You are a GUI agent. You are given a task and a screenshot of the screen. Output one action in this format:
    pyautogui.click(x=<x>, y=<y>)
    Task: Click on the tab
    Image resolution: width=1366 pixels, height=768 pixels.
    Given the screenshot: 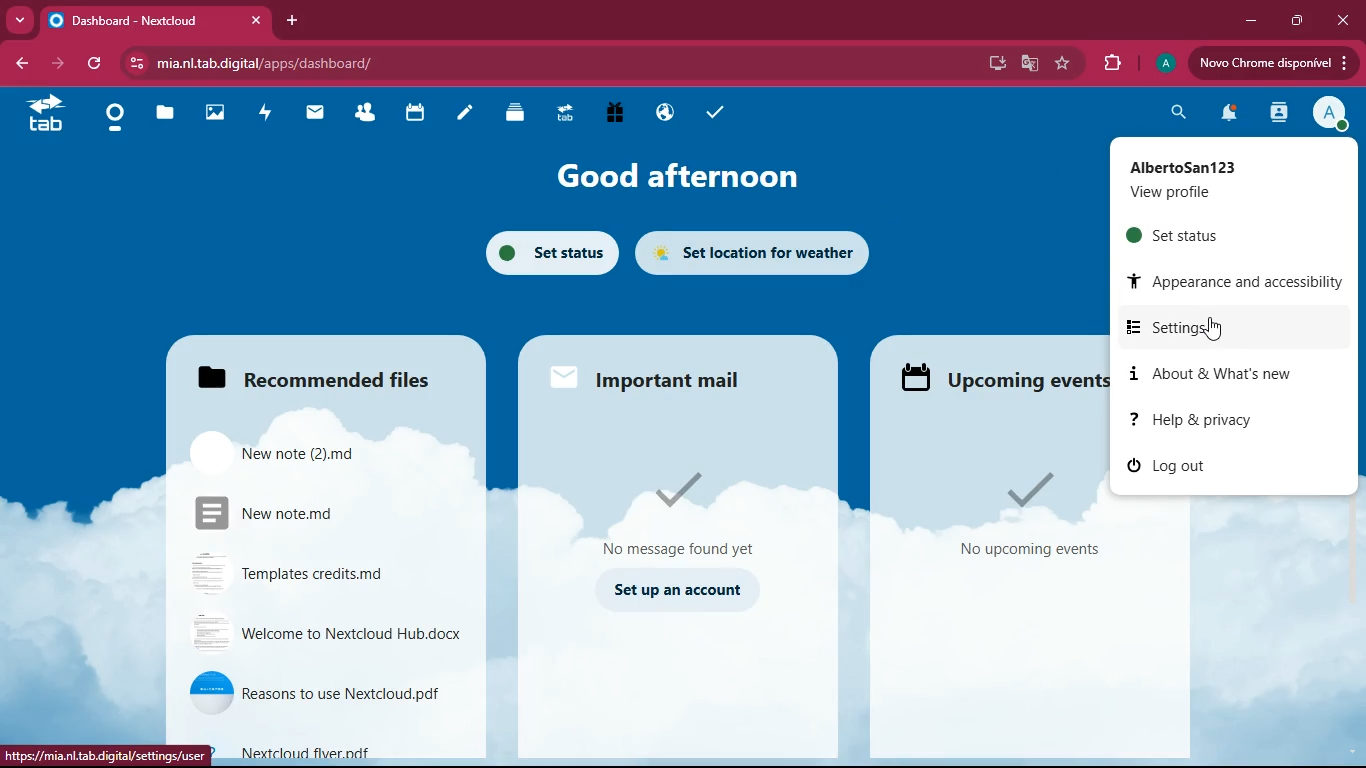 What is the action you would take?
    pyautogui.click(x=563, y=116)
    